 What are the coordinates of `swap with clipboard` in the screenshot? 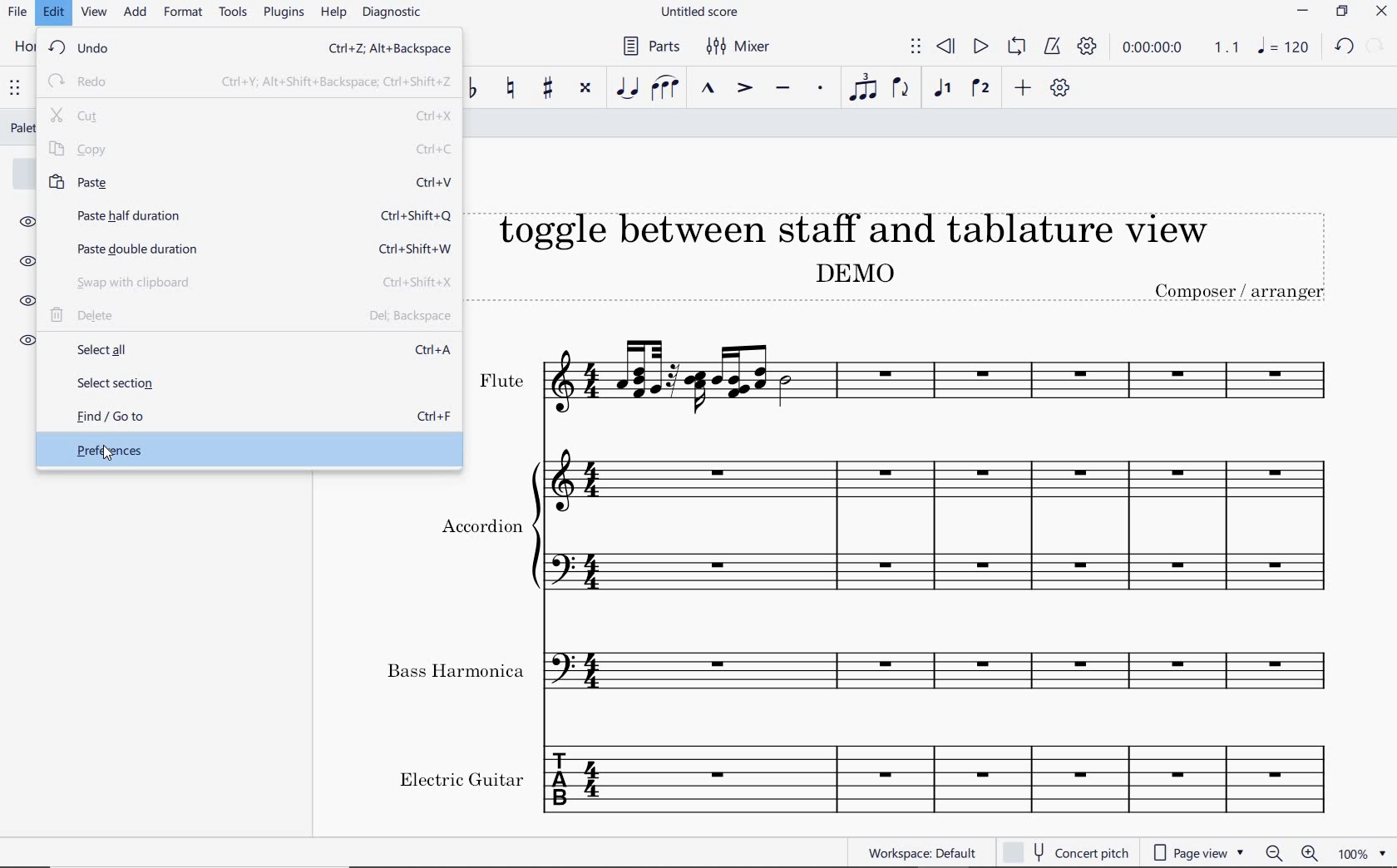 It's located at (251, 284).